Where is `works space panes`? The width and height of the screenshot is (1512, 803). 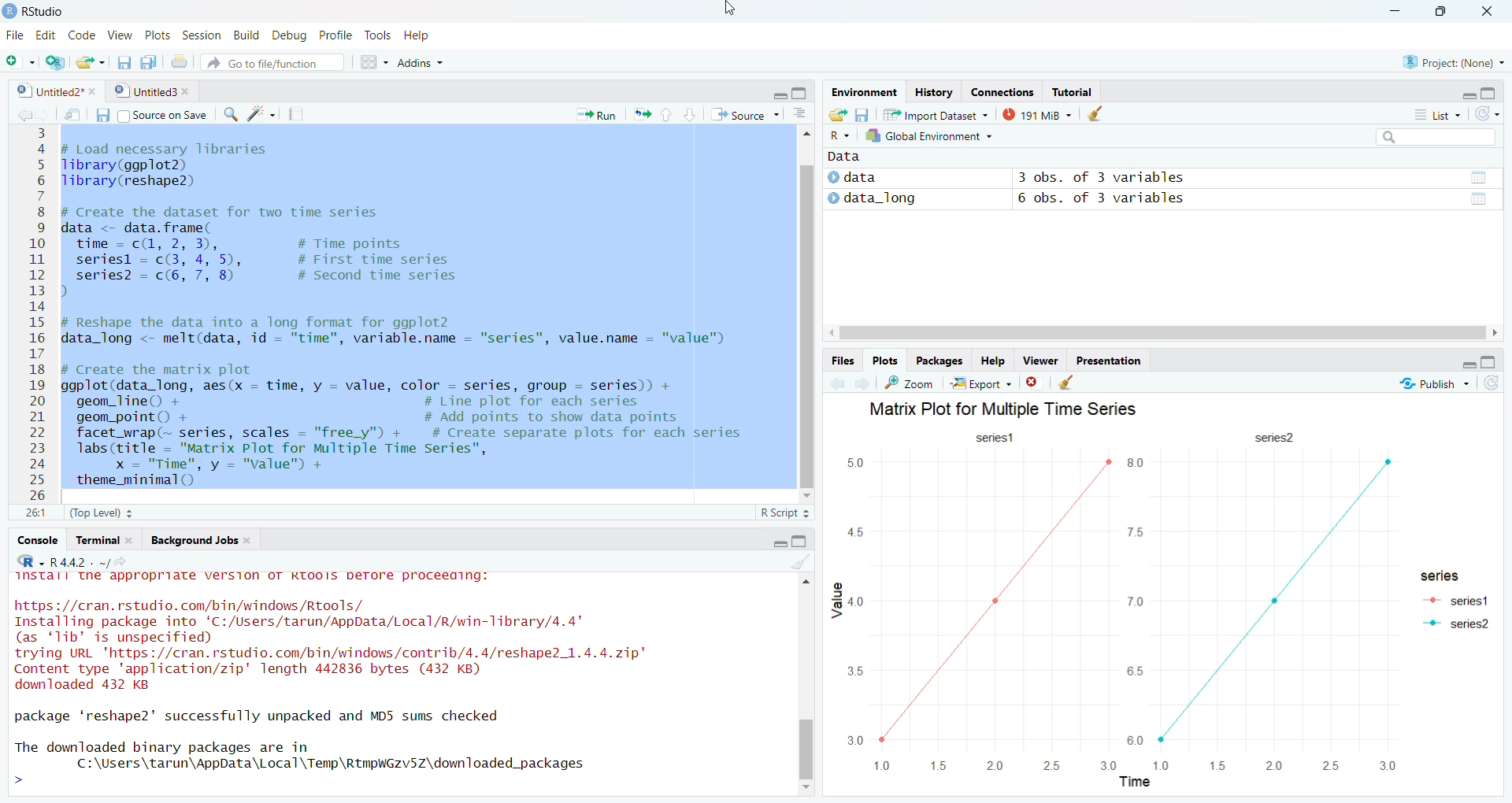
works space panes is located at coordinates (372, 62).